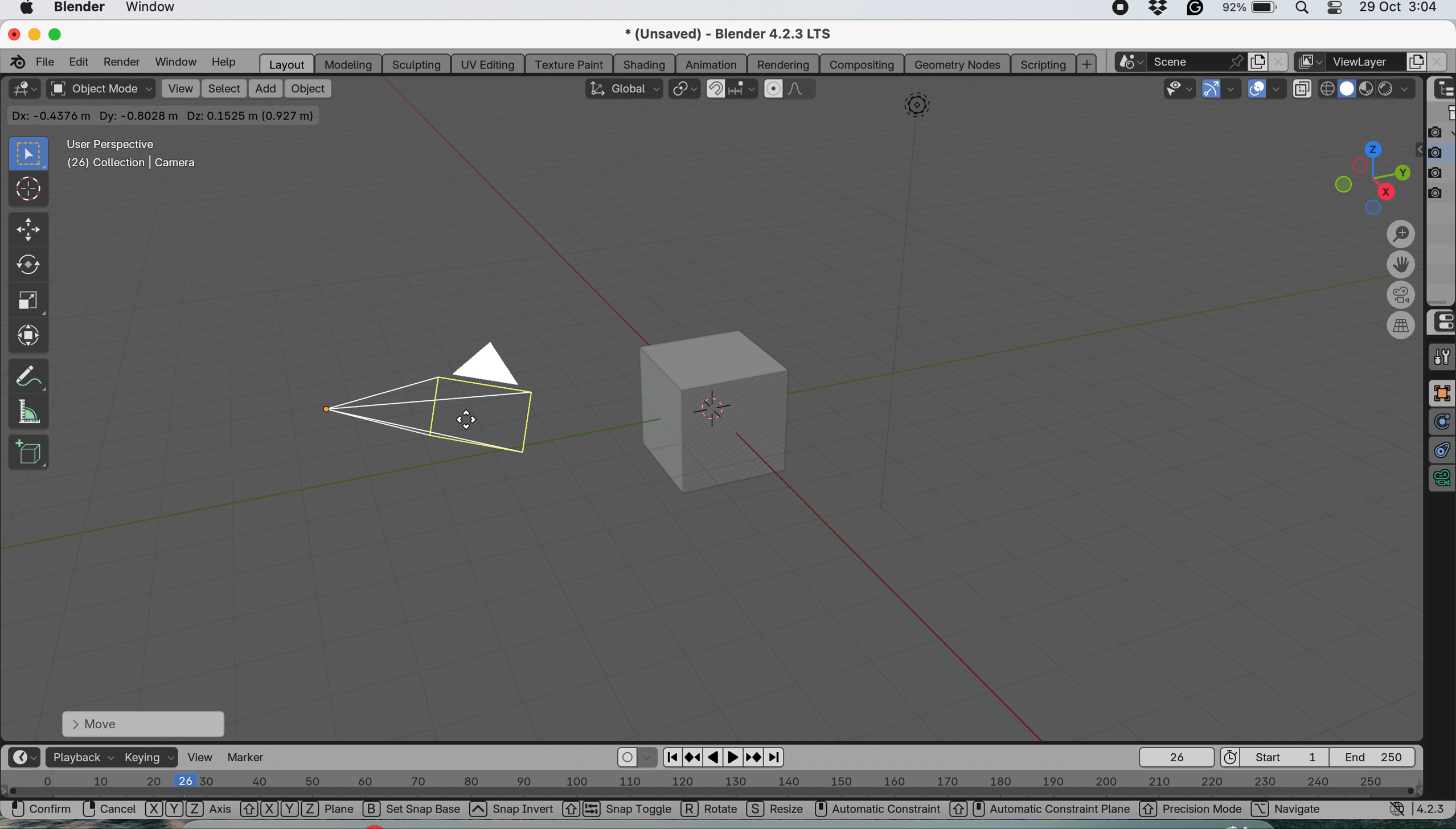  I want to click on drop box, so click(1160, 10).